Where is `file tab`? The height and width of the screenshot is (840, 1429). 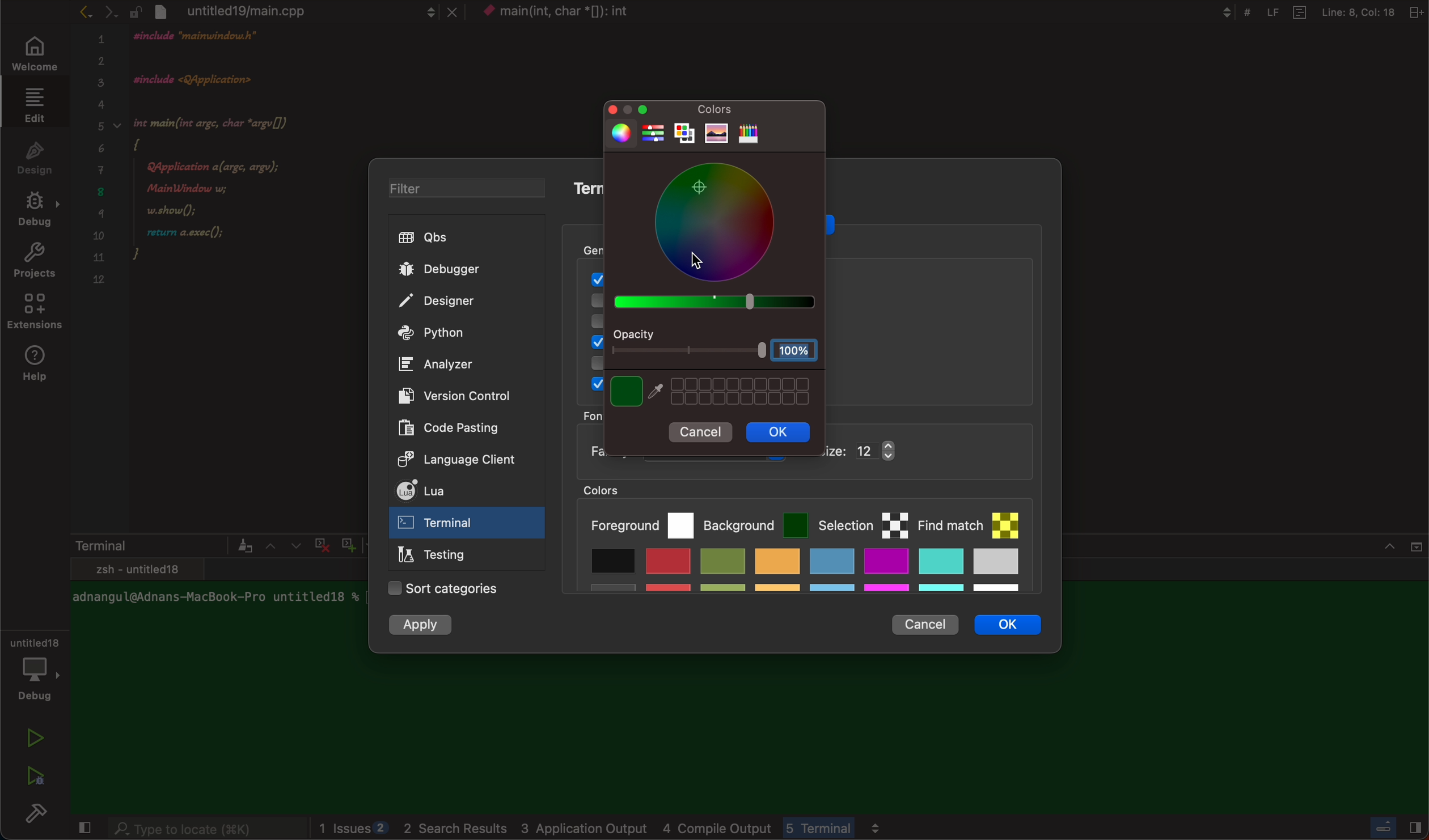
file tab is located at coordinates (294, 11).